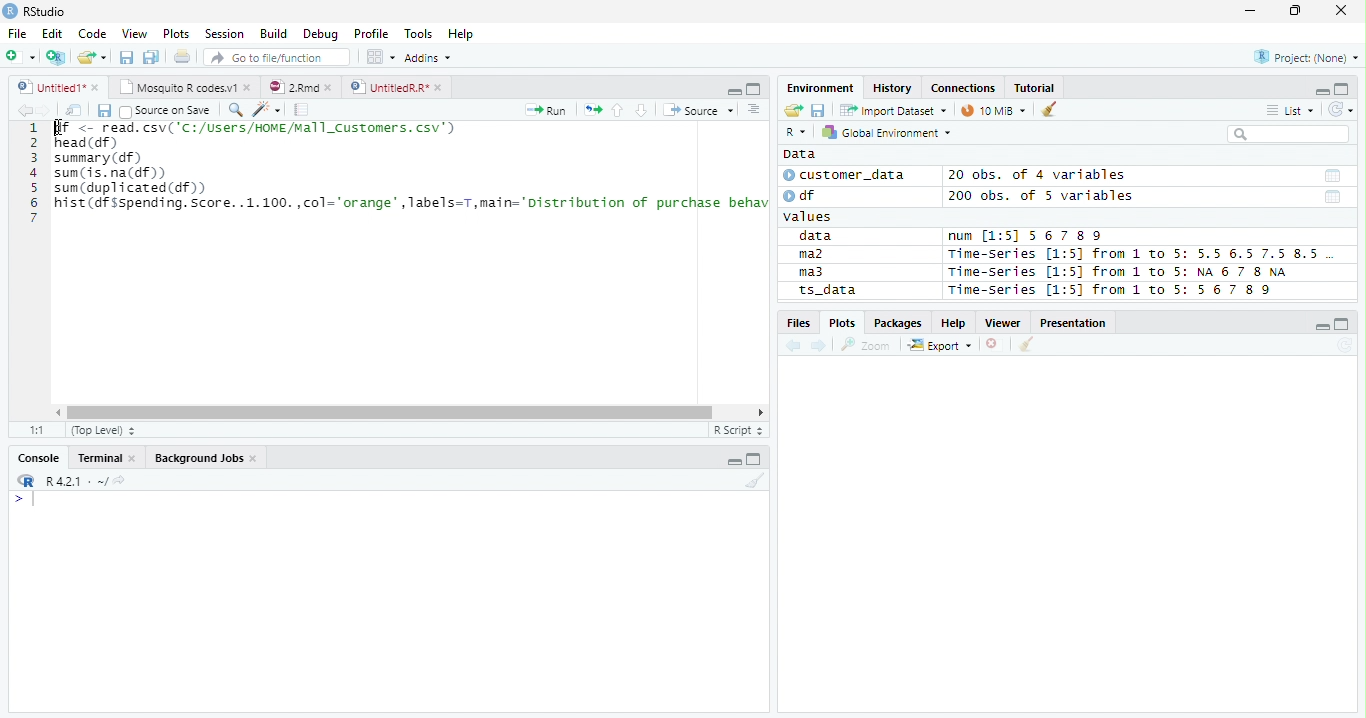 This screenshot has width=1366, height=718. What do you see at coordinates (795, 133) in the screenshot?
I see `R` at bounding box center [795, 133].